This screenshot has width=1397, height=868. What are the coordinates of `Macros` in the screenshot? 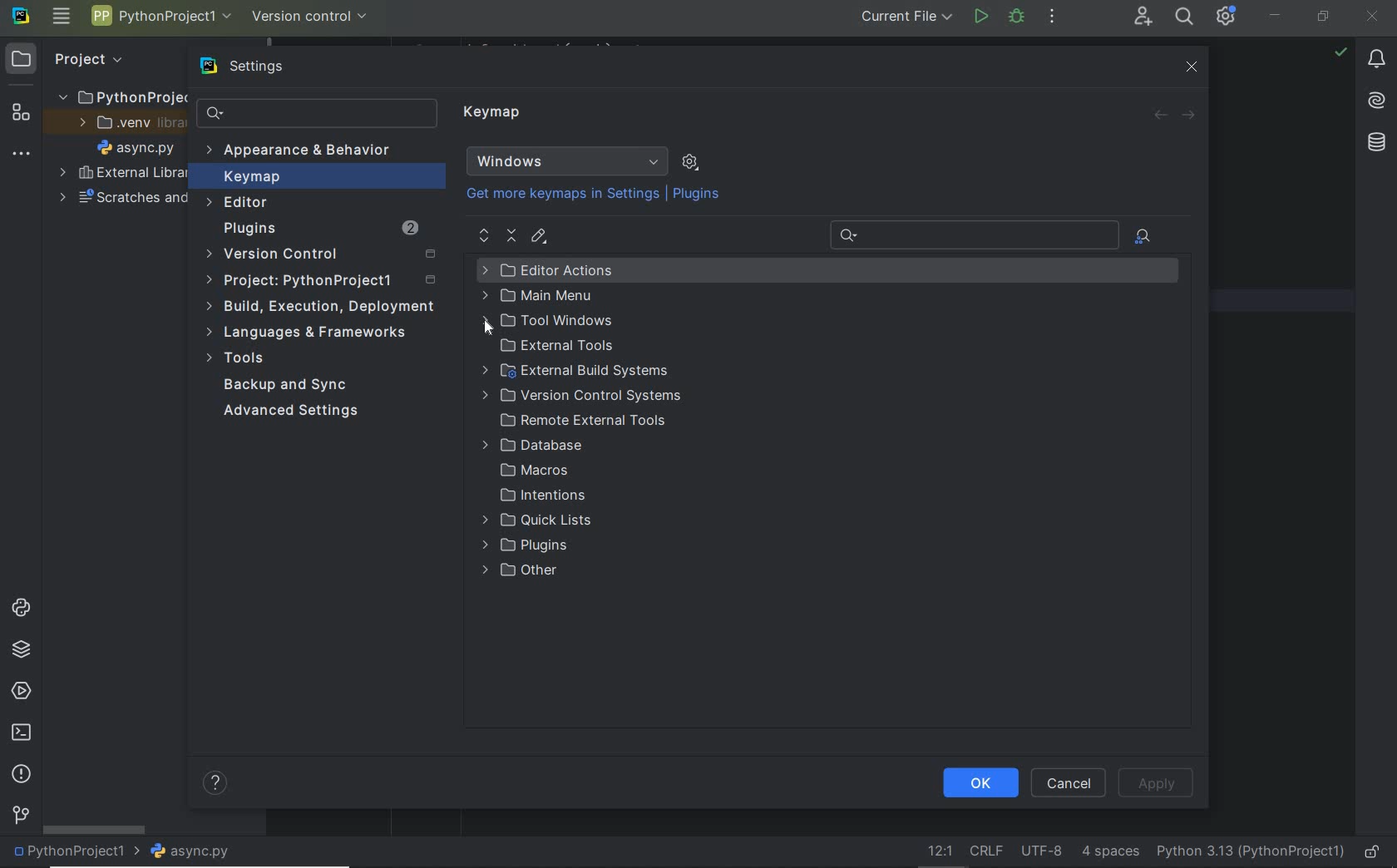 It's located at (530, 471).